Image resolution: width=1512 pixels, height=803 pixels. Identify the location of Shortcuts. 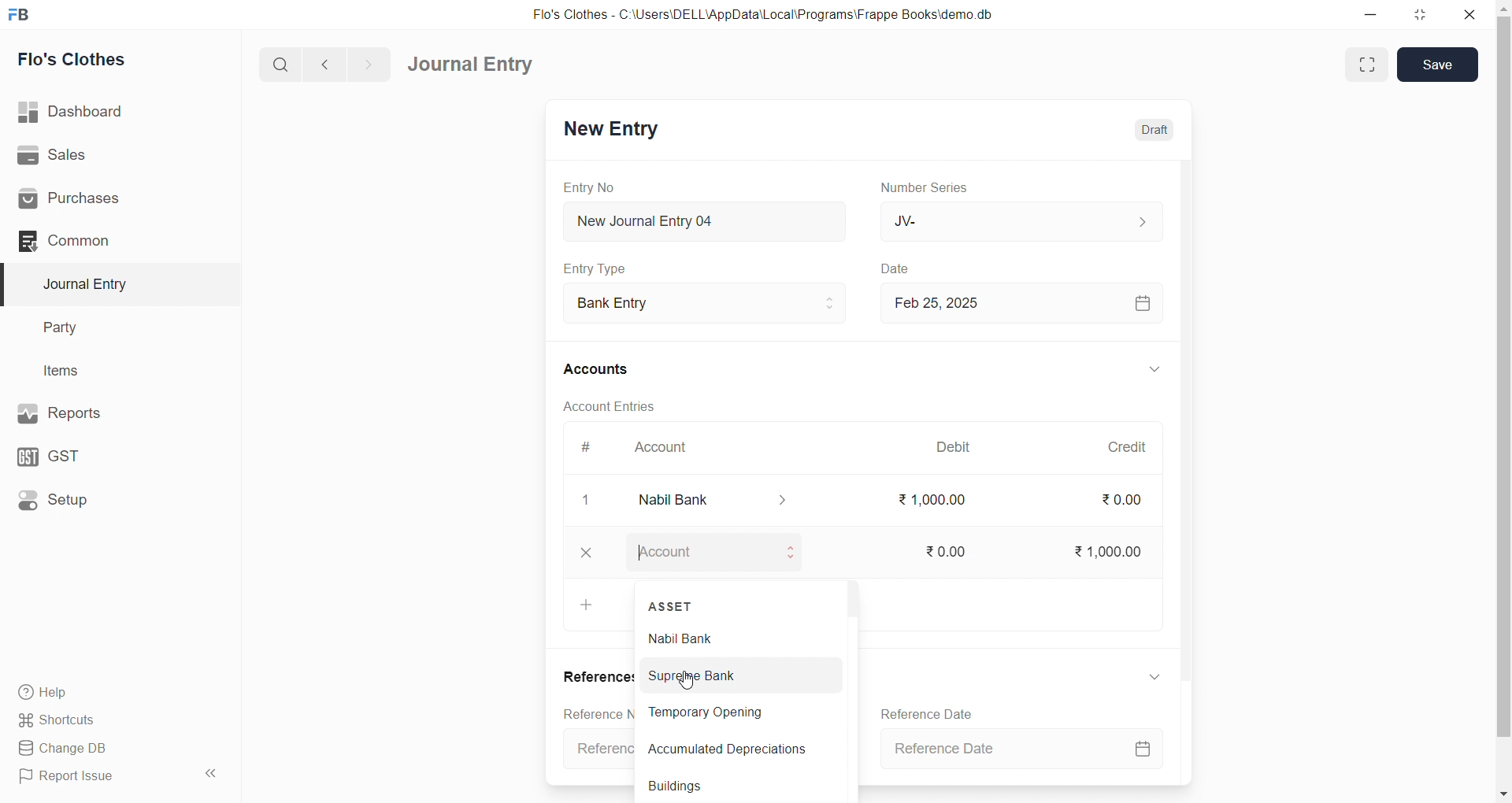
(115, 719).